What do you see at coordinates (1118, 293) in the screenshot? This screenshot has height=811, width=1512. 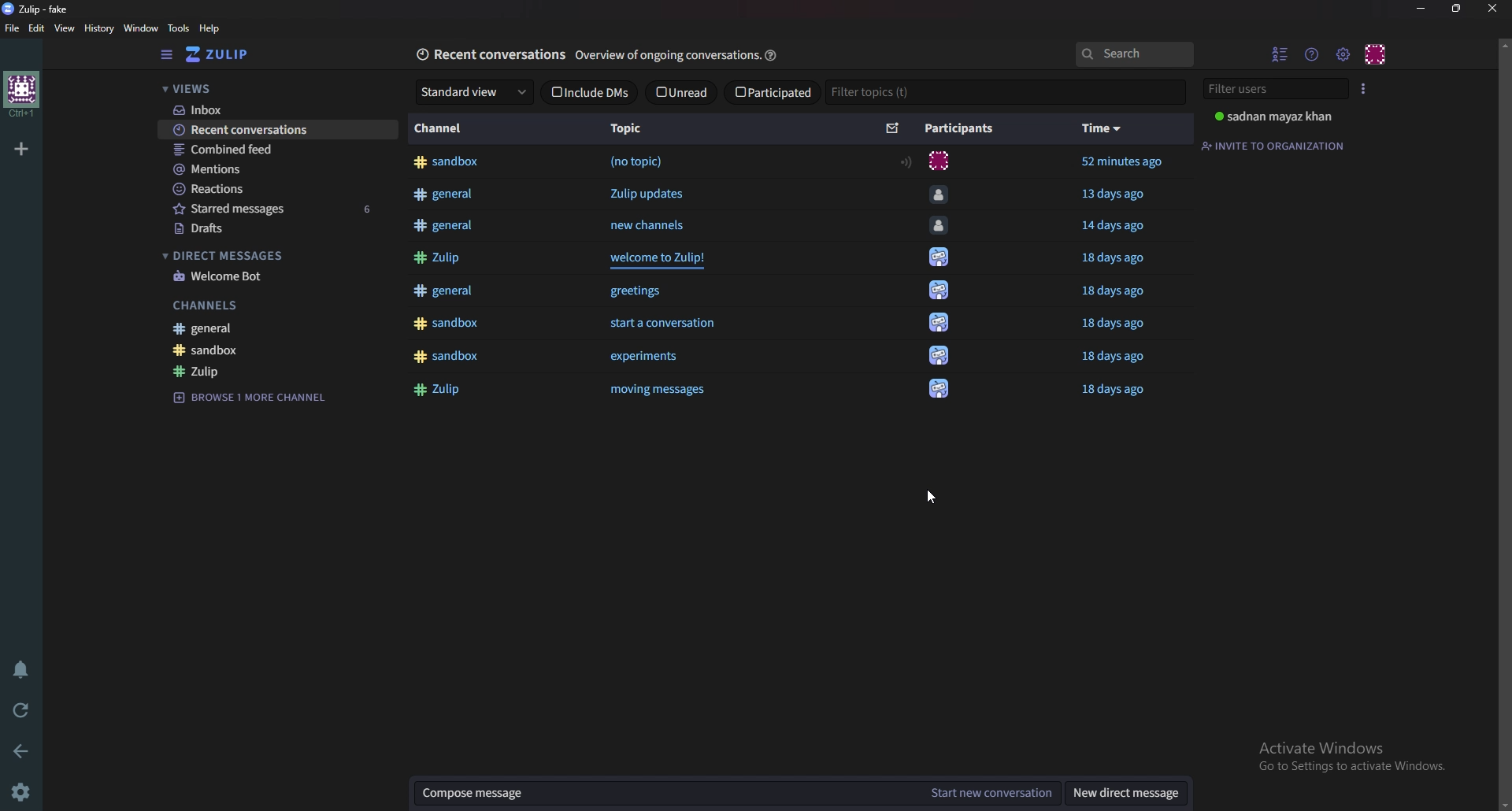 I see `18 days ago` at bounding box center [1118, 293].